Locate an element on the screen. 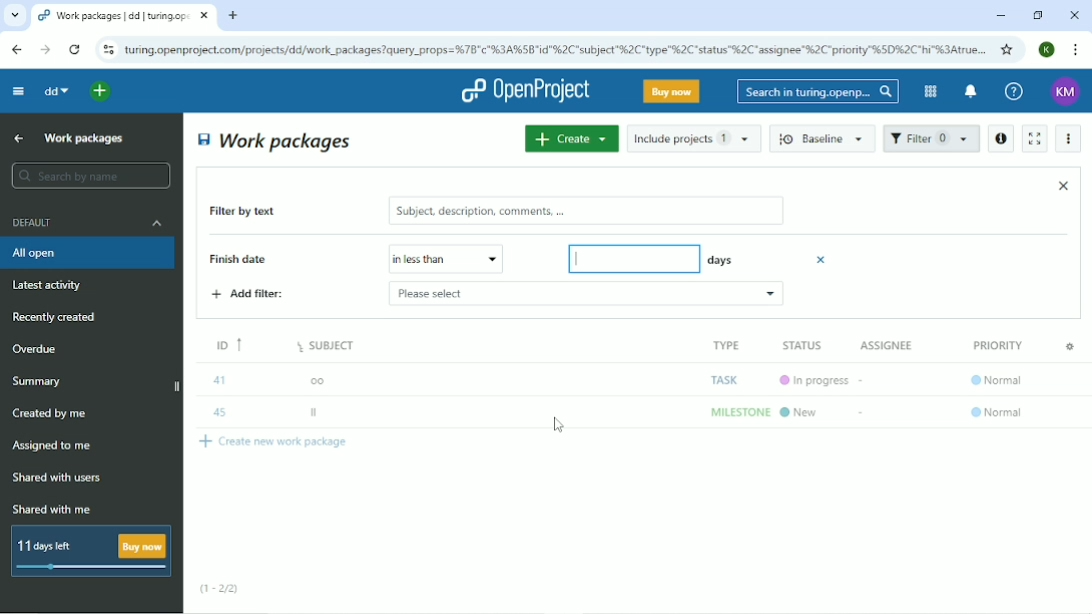 This screenshot has width=1092, height=614. Close is located at coordinates (1063, 185).